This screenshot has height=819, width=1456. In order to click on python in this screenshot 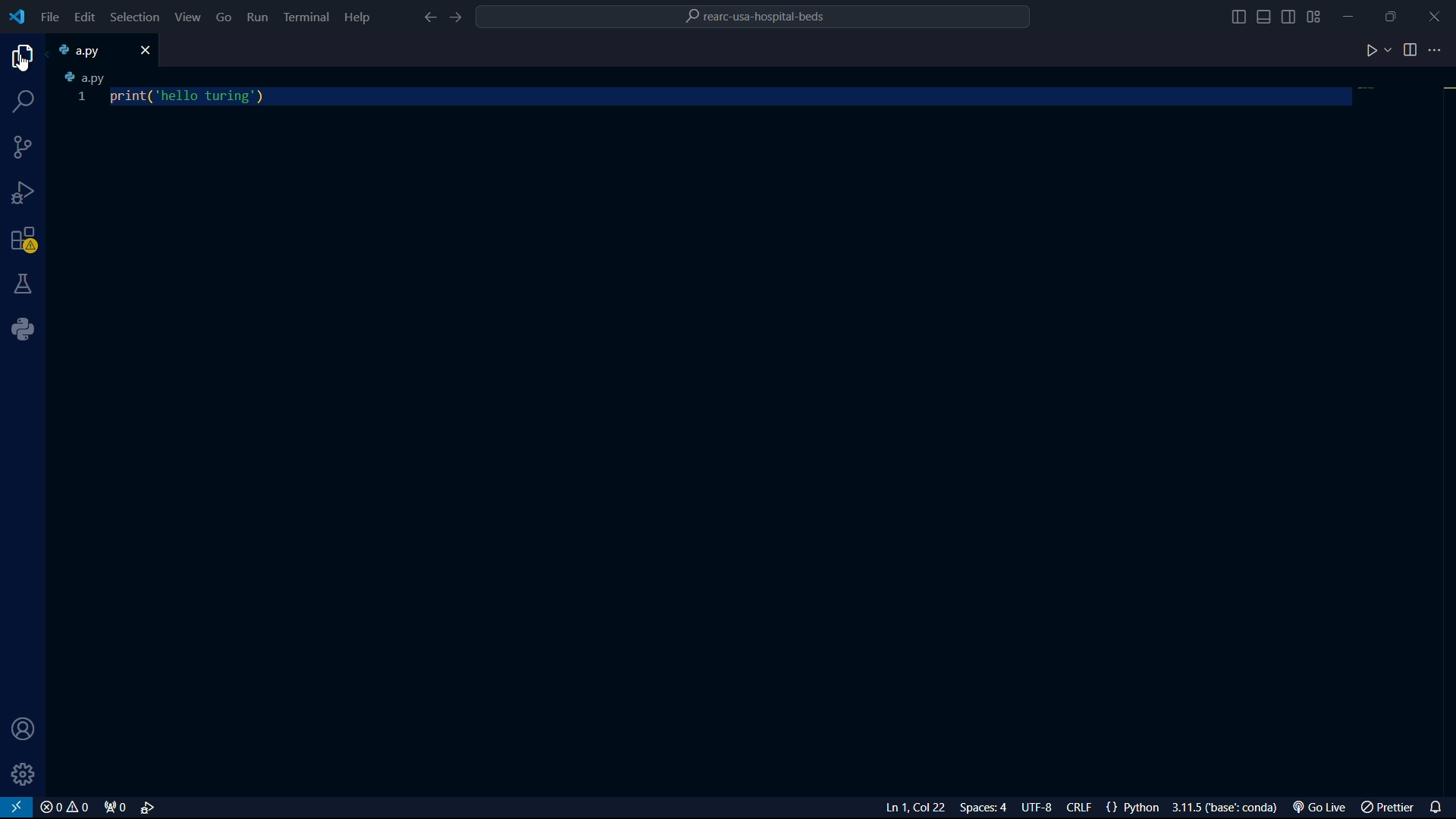, I will do `click(23, 328)`.